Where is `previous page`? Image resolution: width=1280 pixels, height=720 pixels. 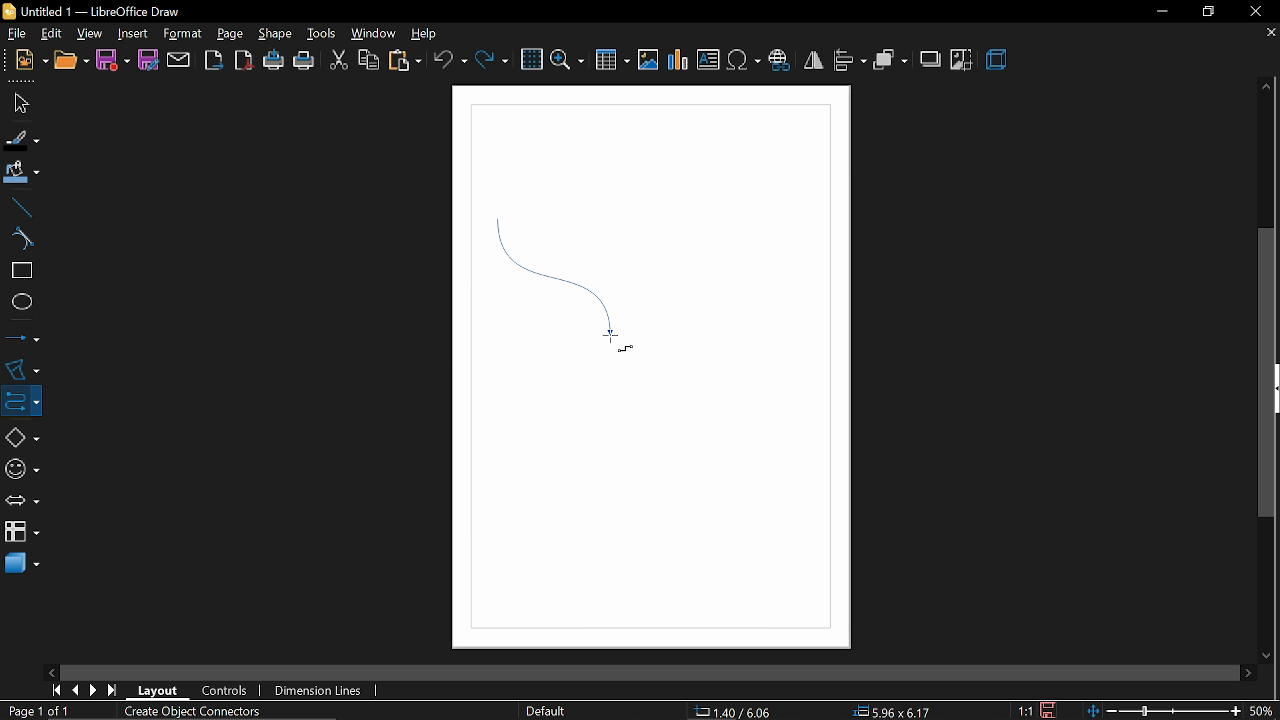 previous page is located at coordinates (74, 691).